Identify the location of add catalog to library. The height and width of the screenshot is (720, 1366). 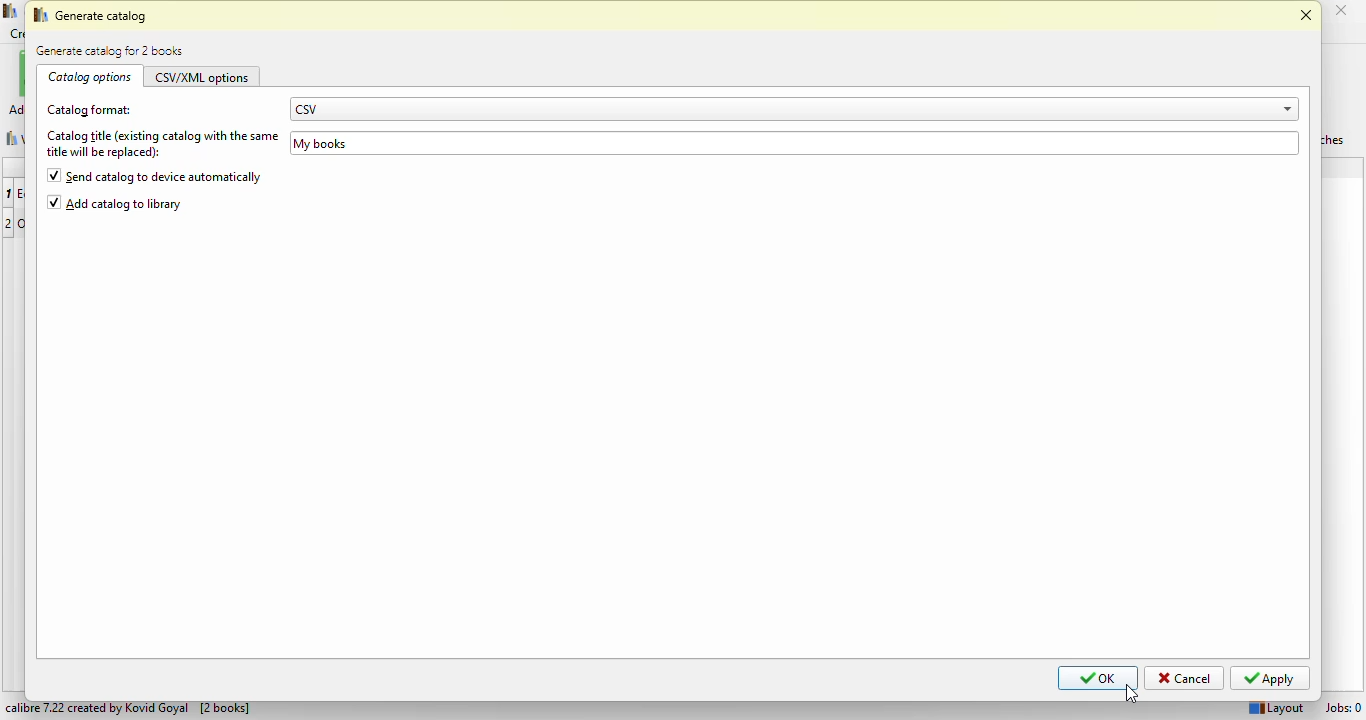
(114, 203).